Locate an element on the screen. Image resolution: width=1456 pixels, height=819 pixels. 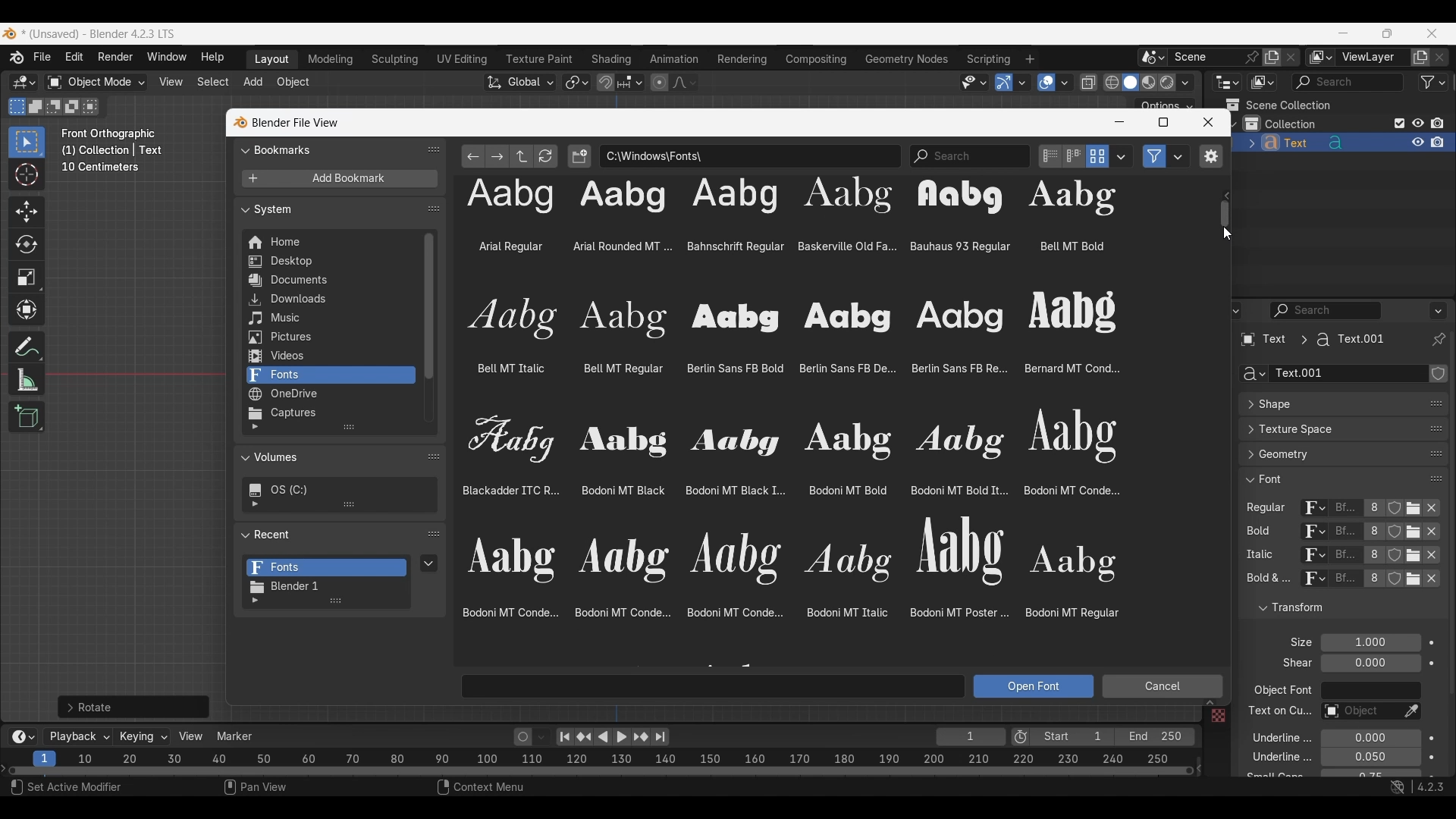
Marker is located at coordinates (235, 736).